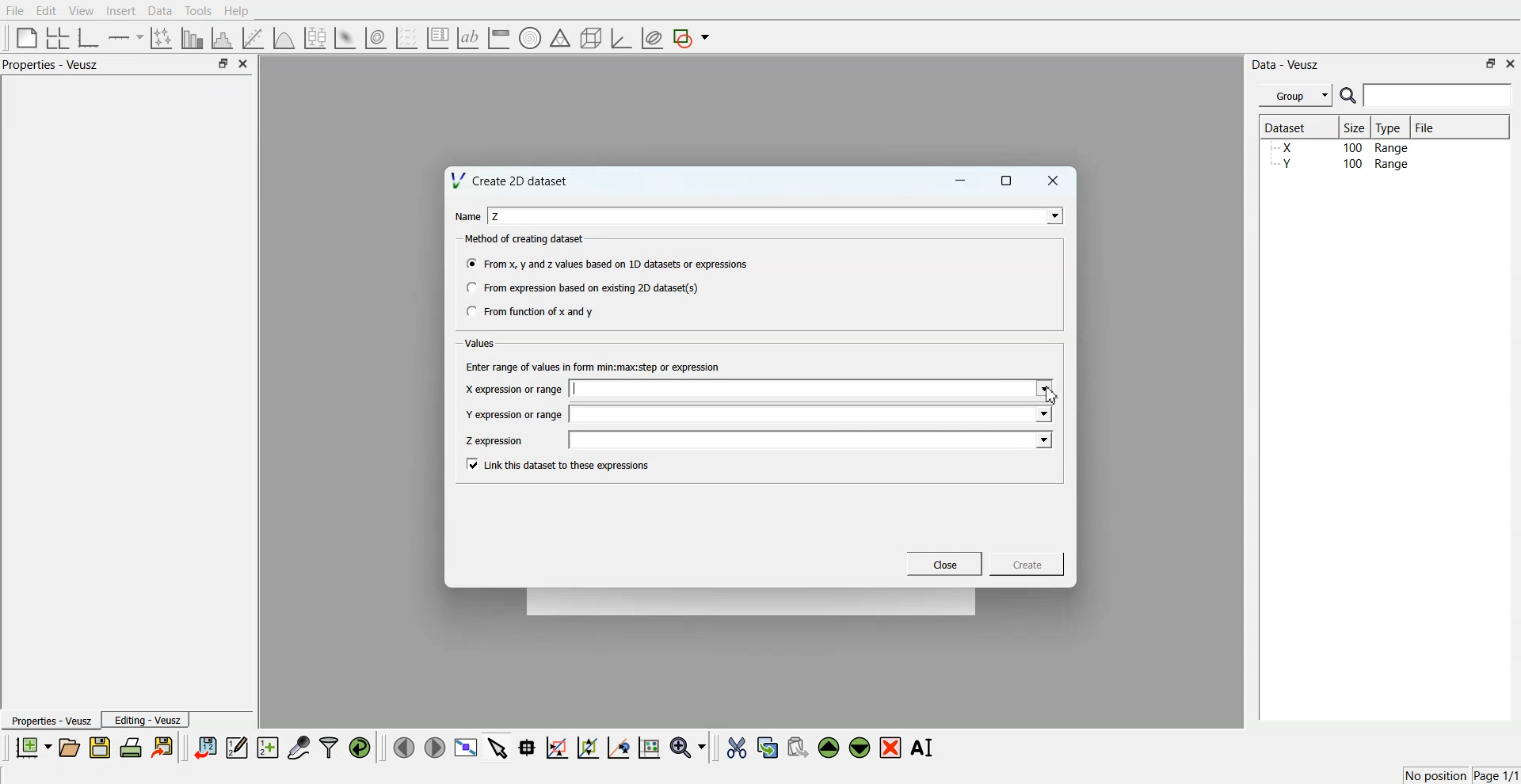 The width and height of the screenshot is (1521, 784). What do you see at coordinates (621, 38) in the screenshot?
I see `3D Graph` at bounding box center [621, 38].